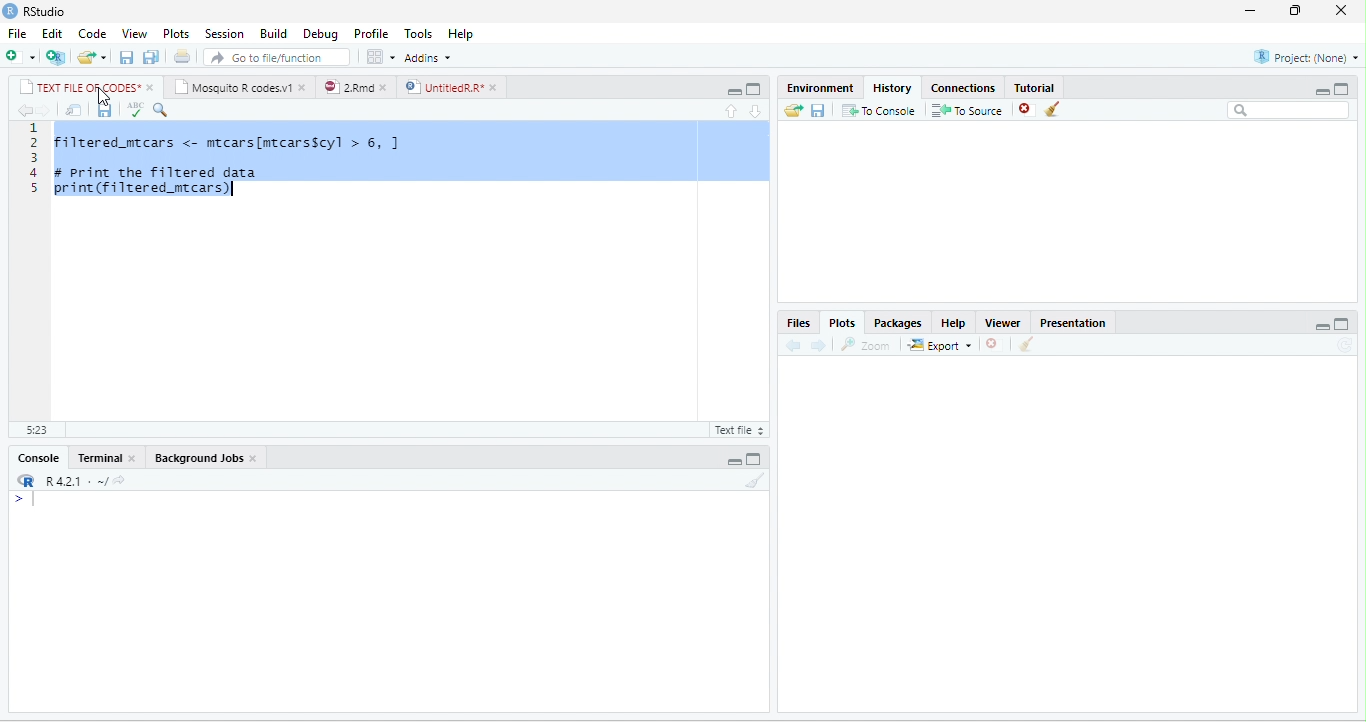  I want to click on Profile, so click(371, 34).